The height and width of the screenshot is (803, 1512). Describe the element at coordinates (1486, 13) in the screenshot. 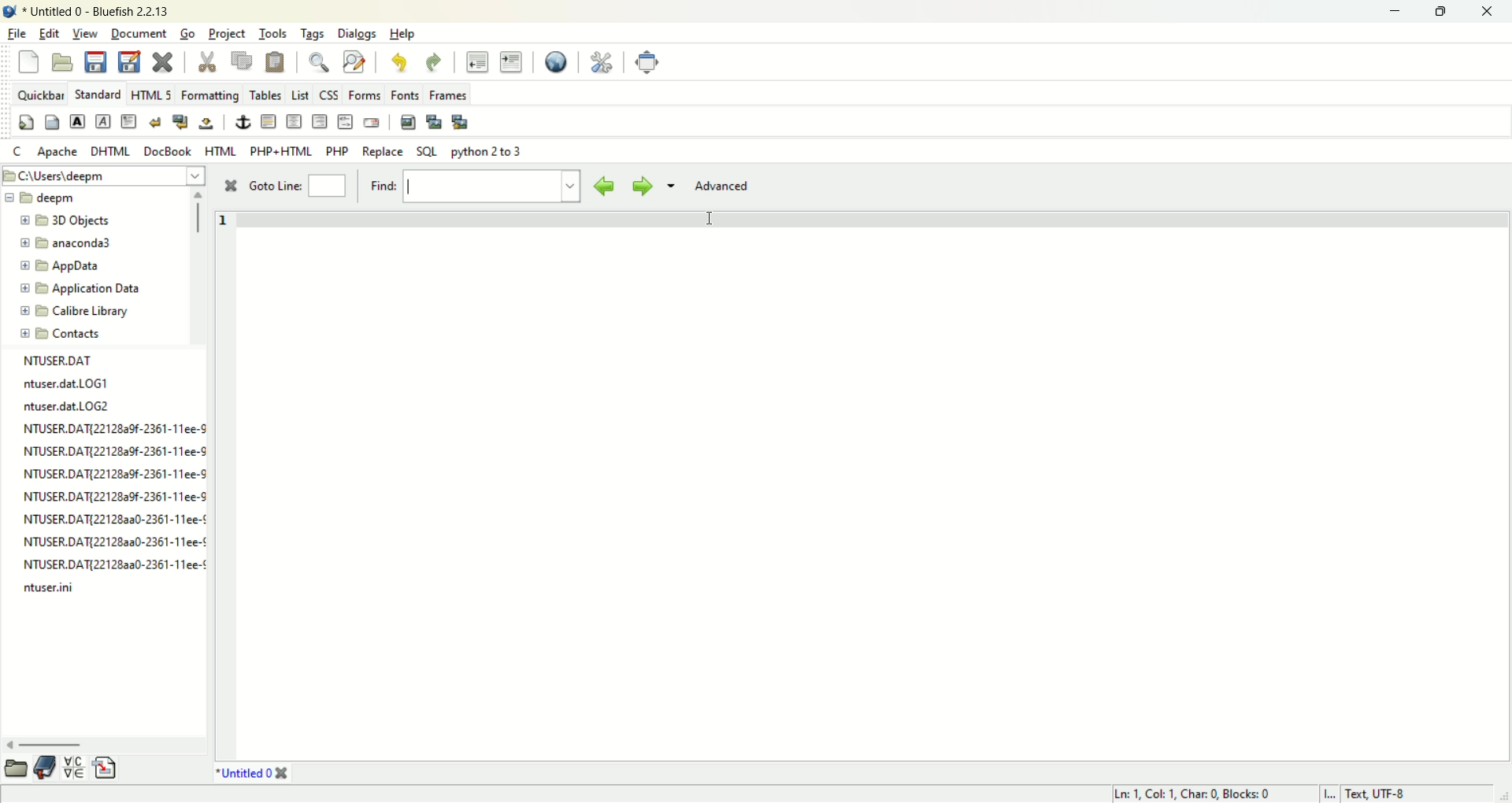

I see `close` at that location.